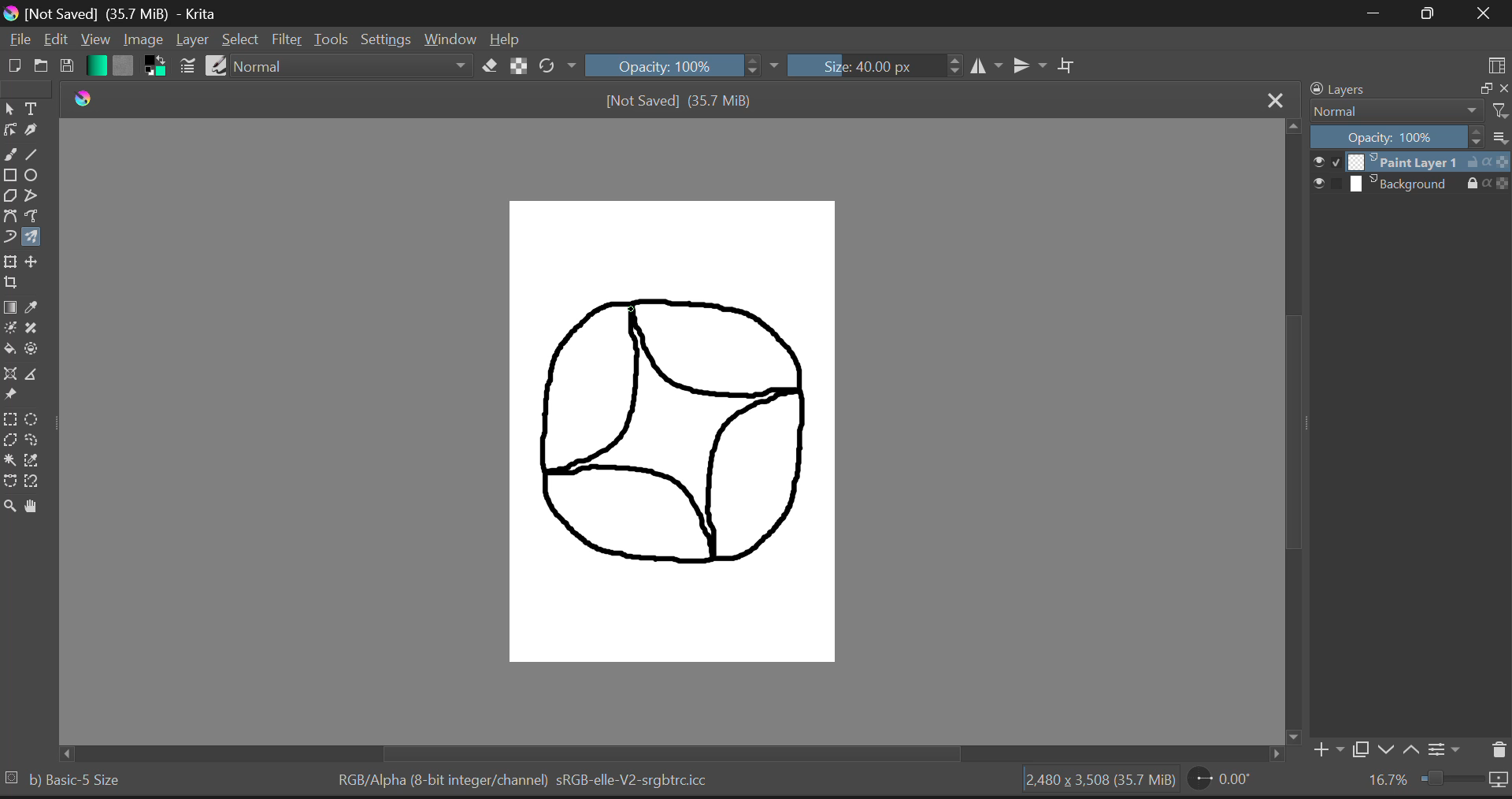 This screenshot has height=799, width=1512. I want to click on New, so click(13, 67).